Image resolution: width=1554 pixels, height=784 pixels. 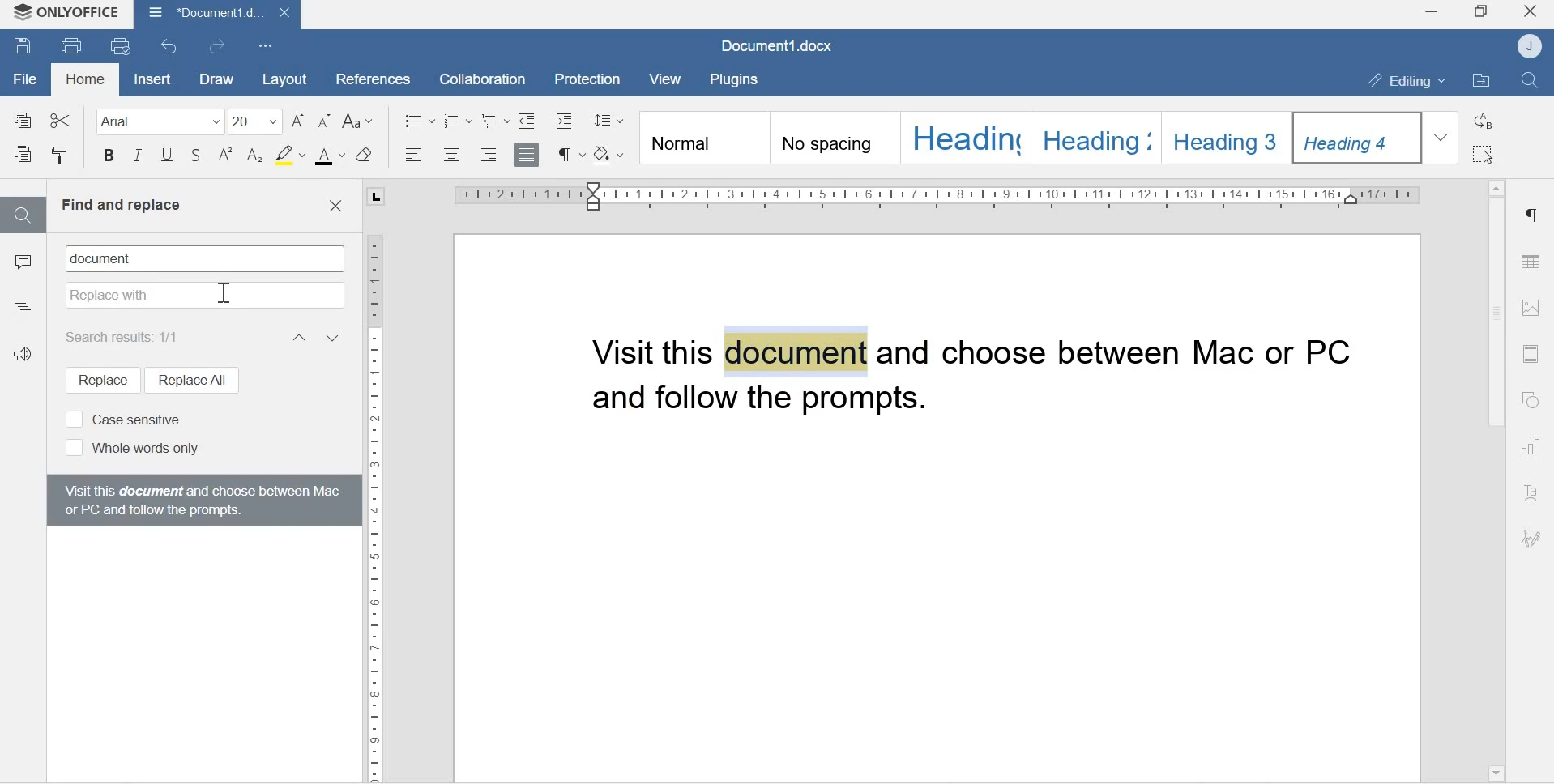 What do you see at coordinates (1531, 353) in the screenshot?
I see `Header & Footer` at bounding box center [1531, 353].